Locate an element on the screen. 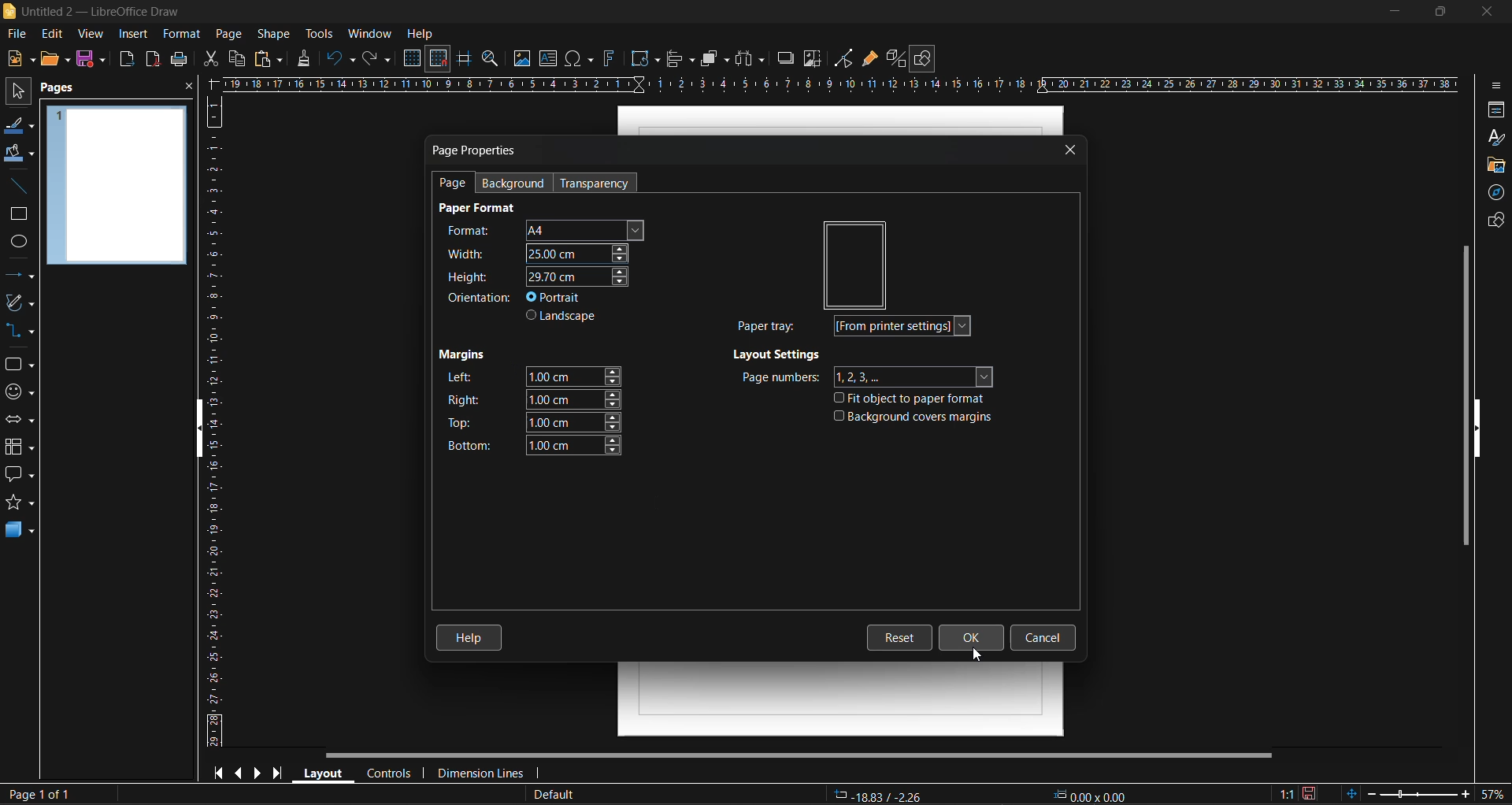 The height and width of the screenshot is (805, 1512). page numbers is located at coordinates (865, 377).